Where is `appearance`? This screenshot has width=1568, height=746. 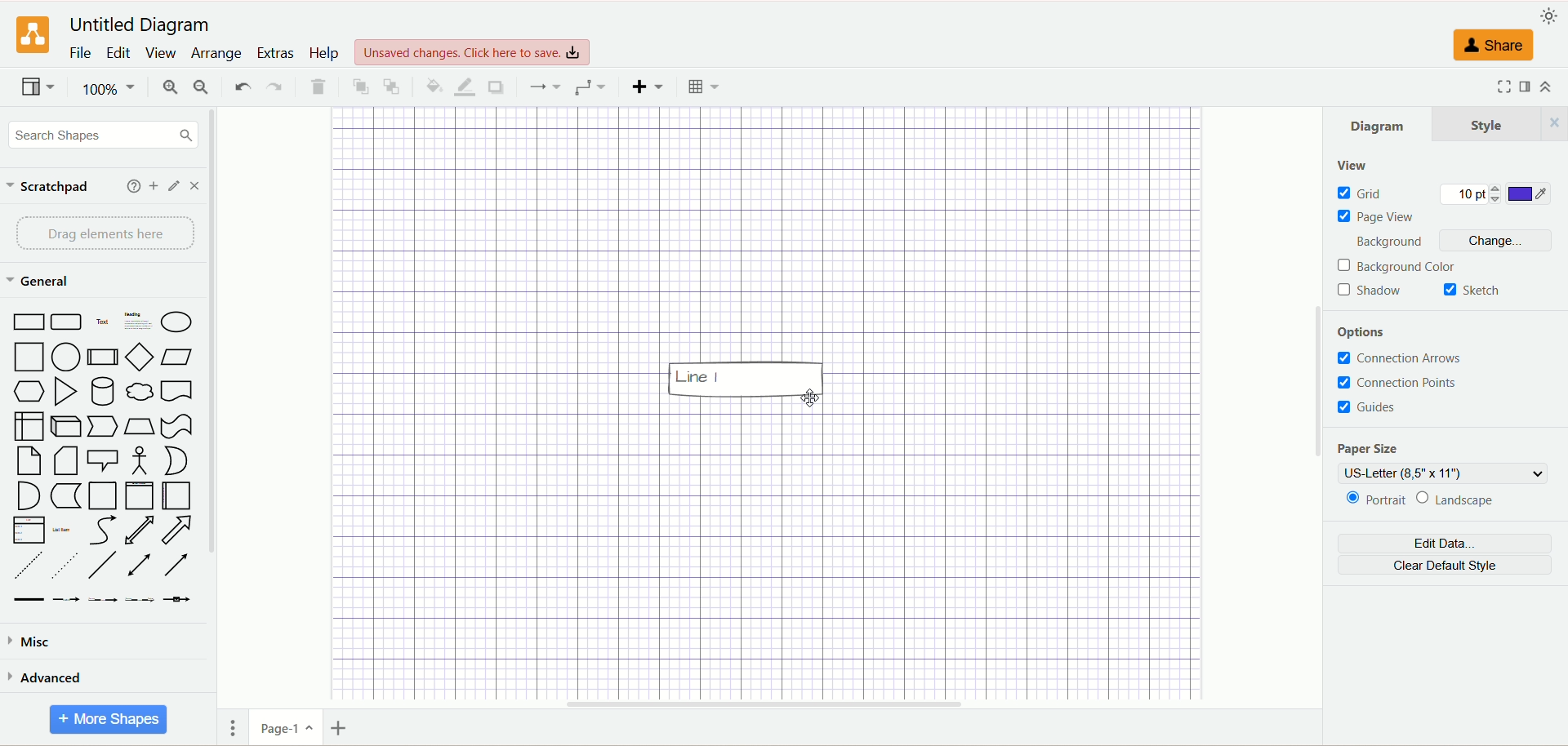
appearance is located at coordinates (1548, 16).